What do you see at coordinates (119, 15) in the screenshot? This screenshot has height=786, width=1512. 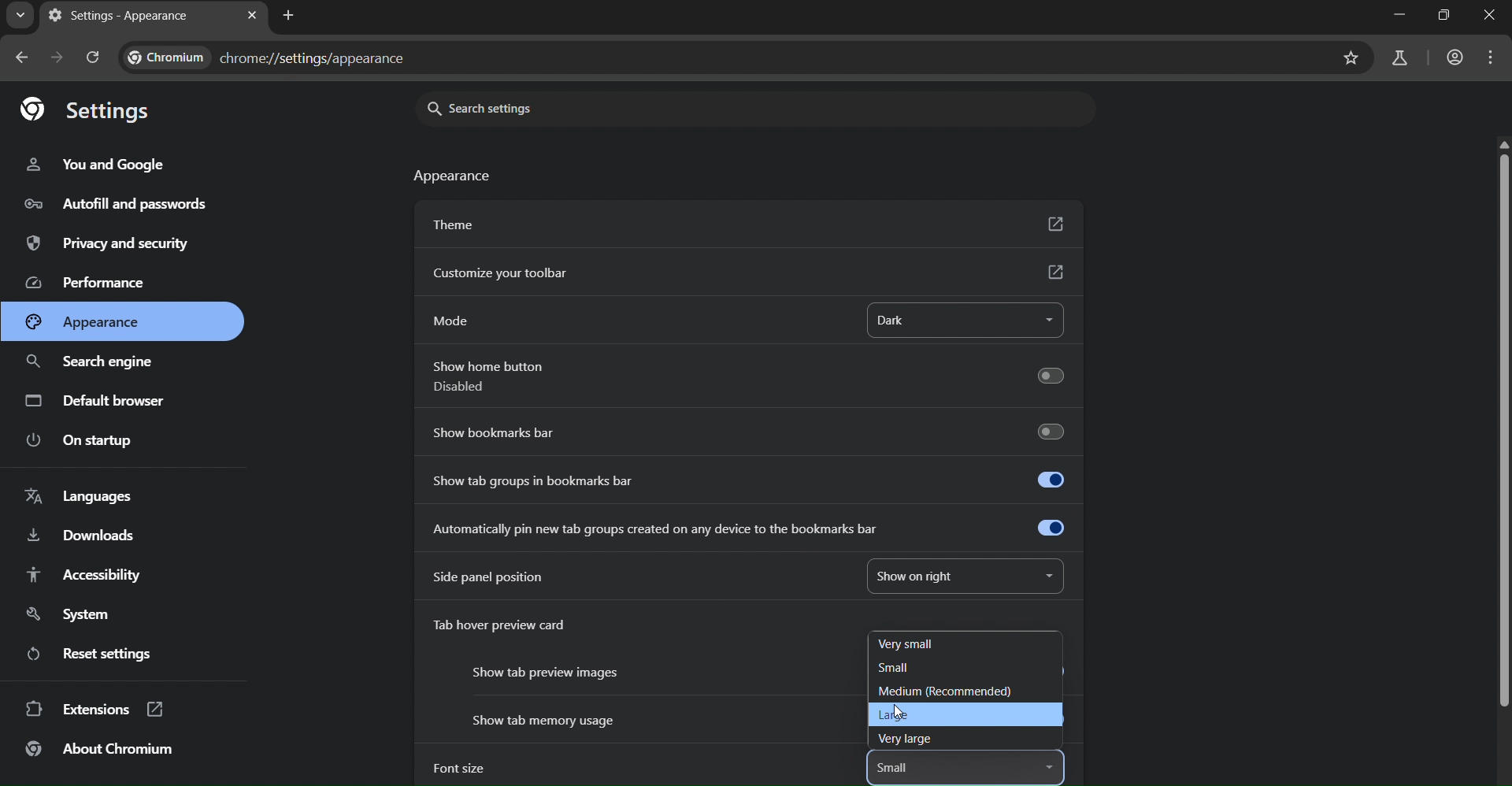 I see `currenttab` at bounding box center [119, 15].